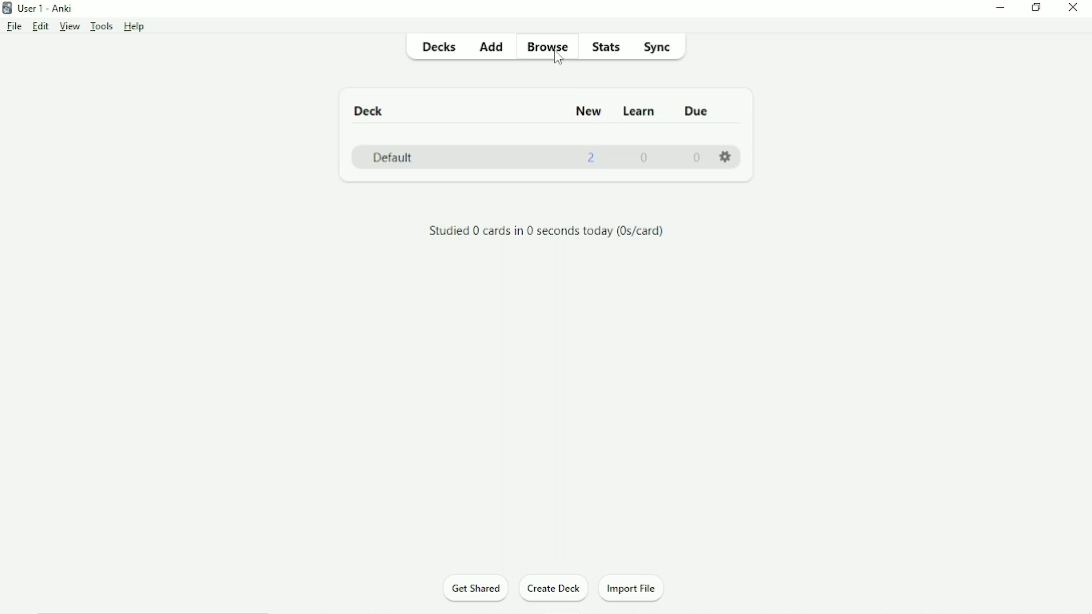  What do you see at coordinates (546, 231) in the screenshot?
I see `Studied 0 cards in 0 seconds today.` at bounding box center [546, 231].